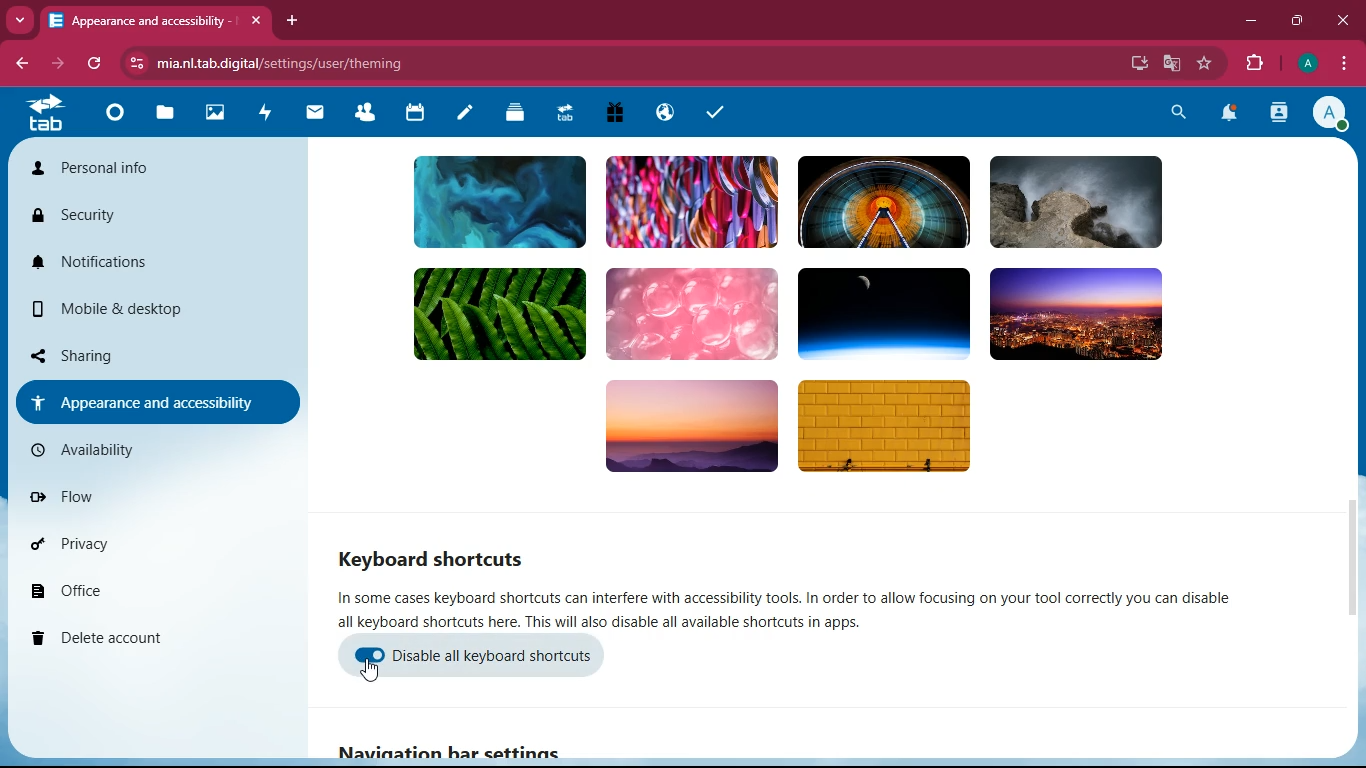 The image size is (1366, 768). I want to click on extension, so click(1252, 64).